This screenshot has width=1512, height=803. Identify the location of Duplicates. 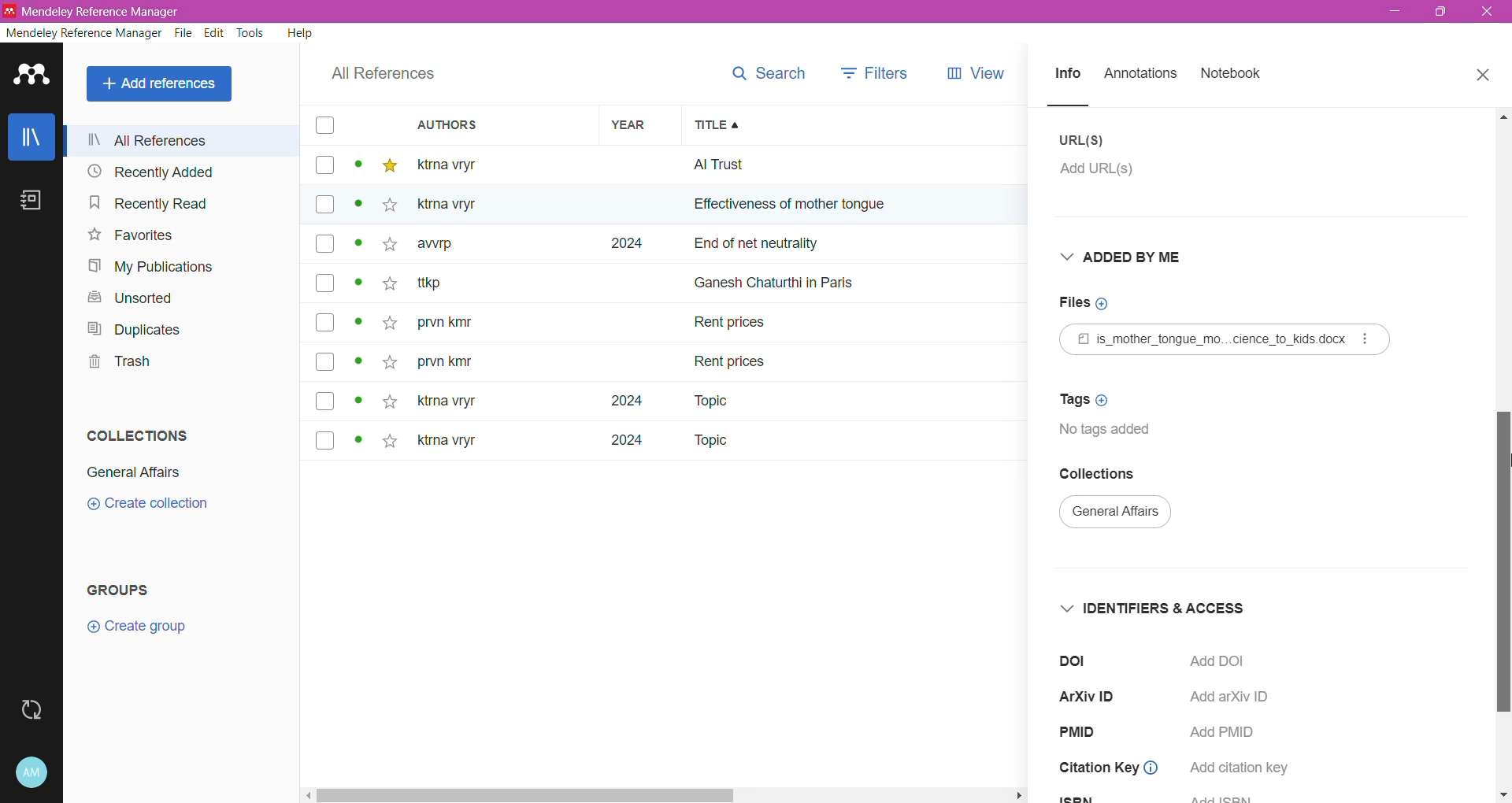
(135, 329).